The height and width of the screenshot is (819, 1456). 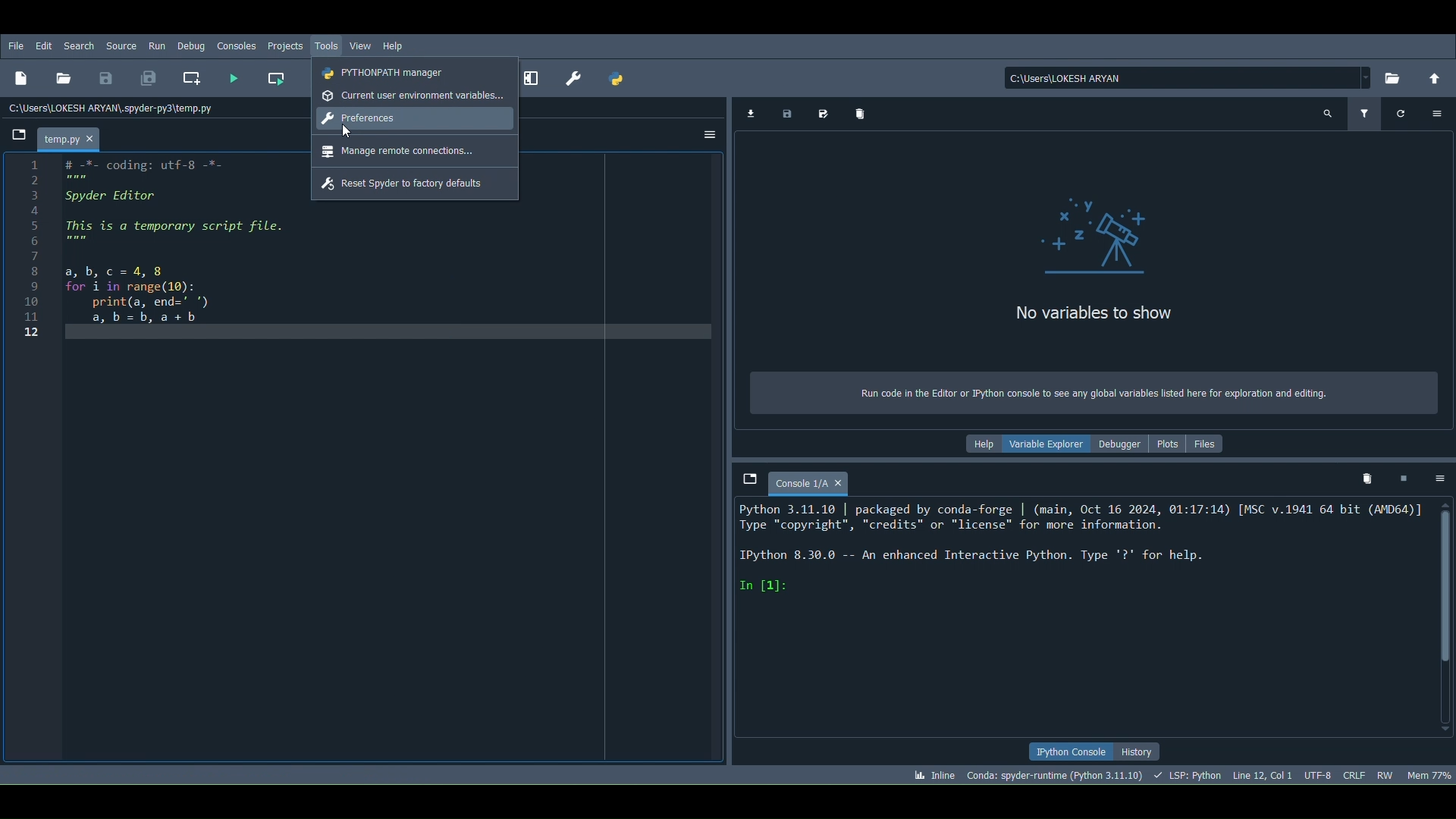 I want to click on Console , so click(x=811, y=482).